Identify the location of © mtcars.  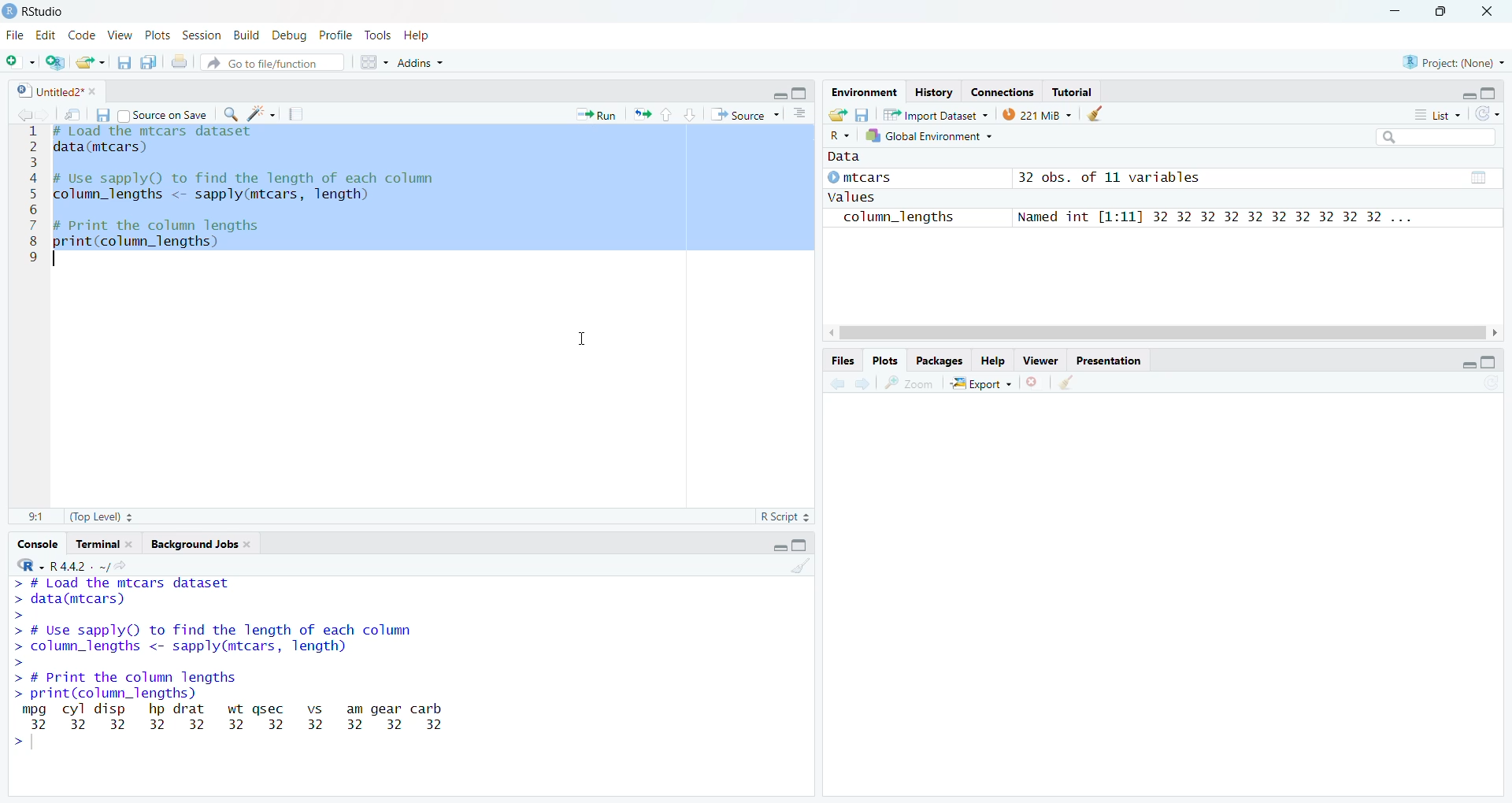
(860, 178).